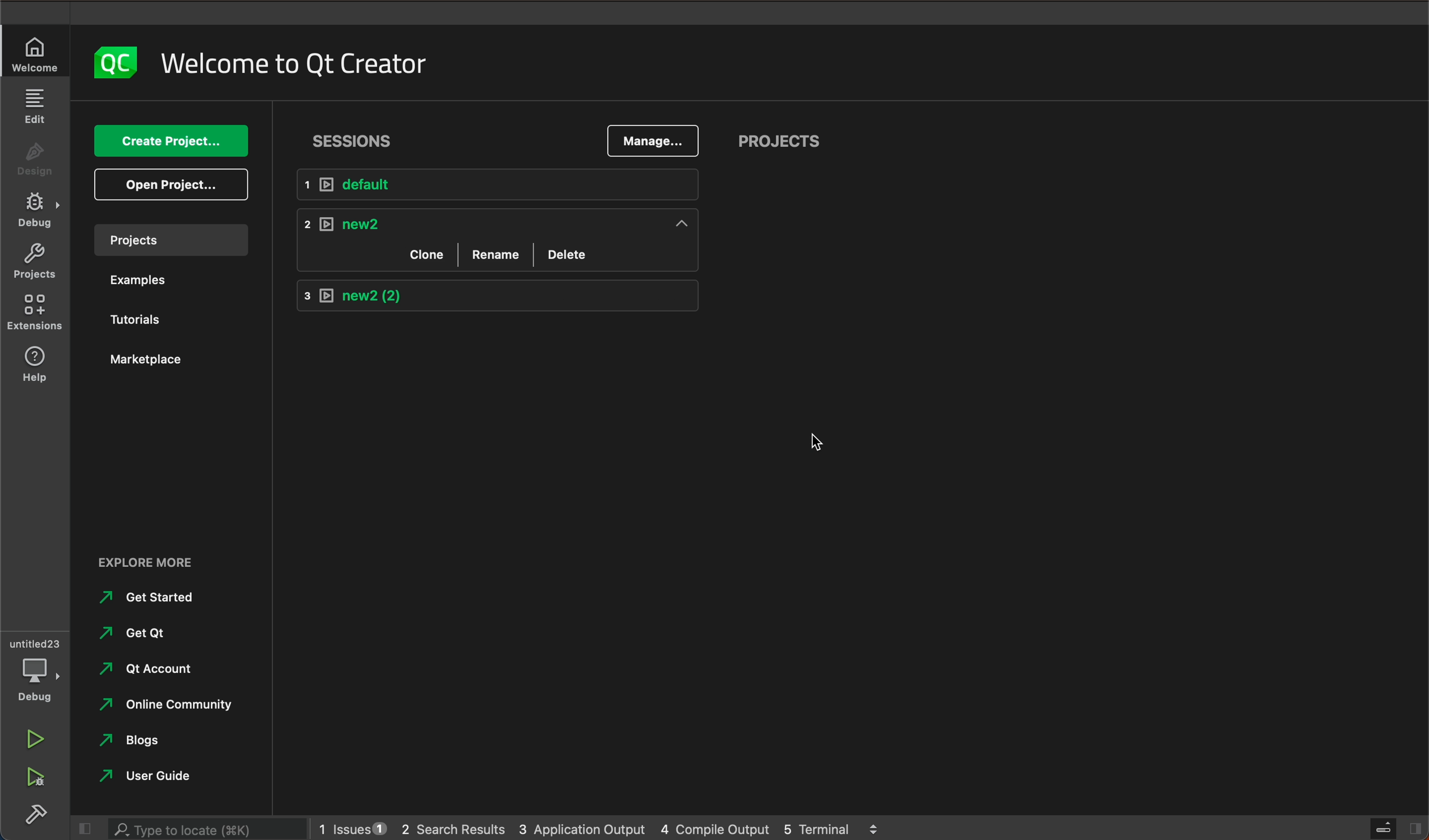 This screenshot has height=840, width=1429. What do you see at coordinates (497, 253) in the screenshot?
I see `rename` at bounding box center [497, 253].